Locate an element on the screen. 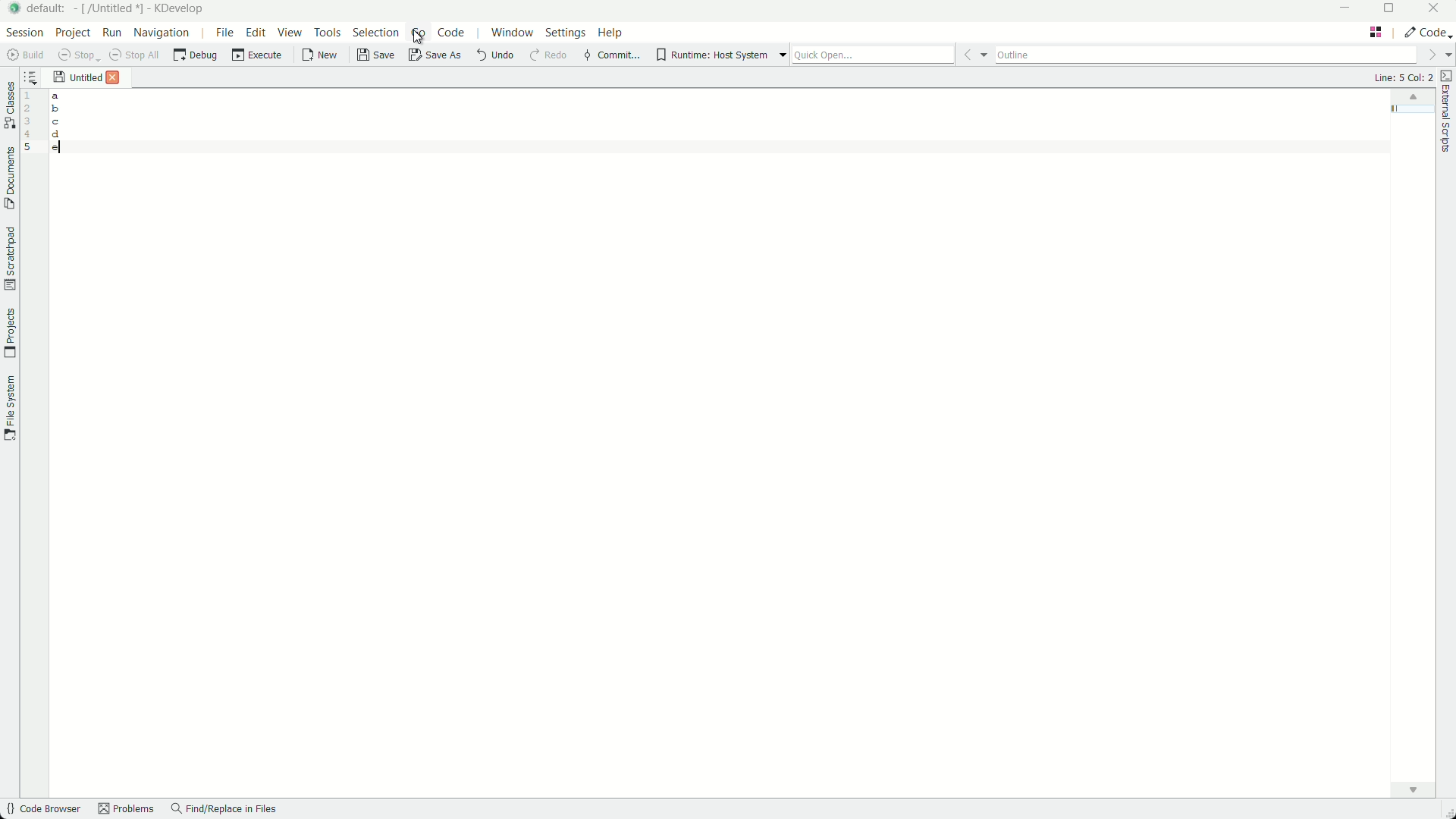 This screenshot has width=1456, height=819. classes is located at coordinates (9, 106).